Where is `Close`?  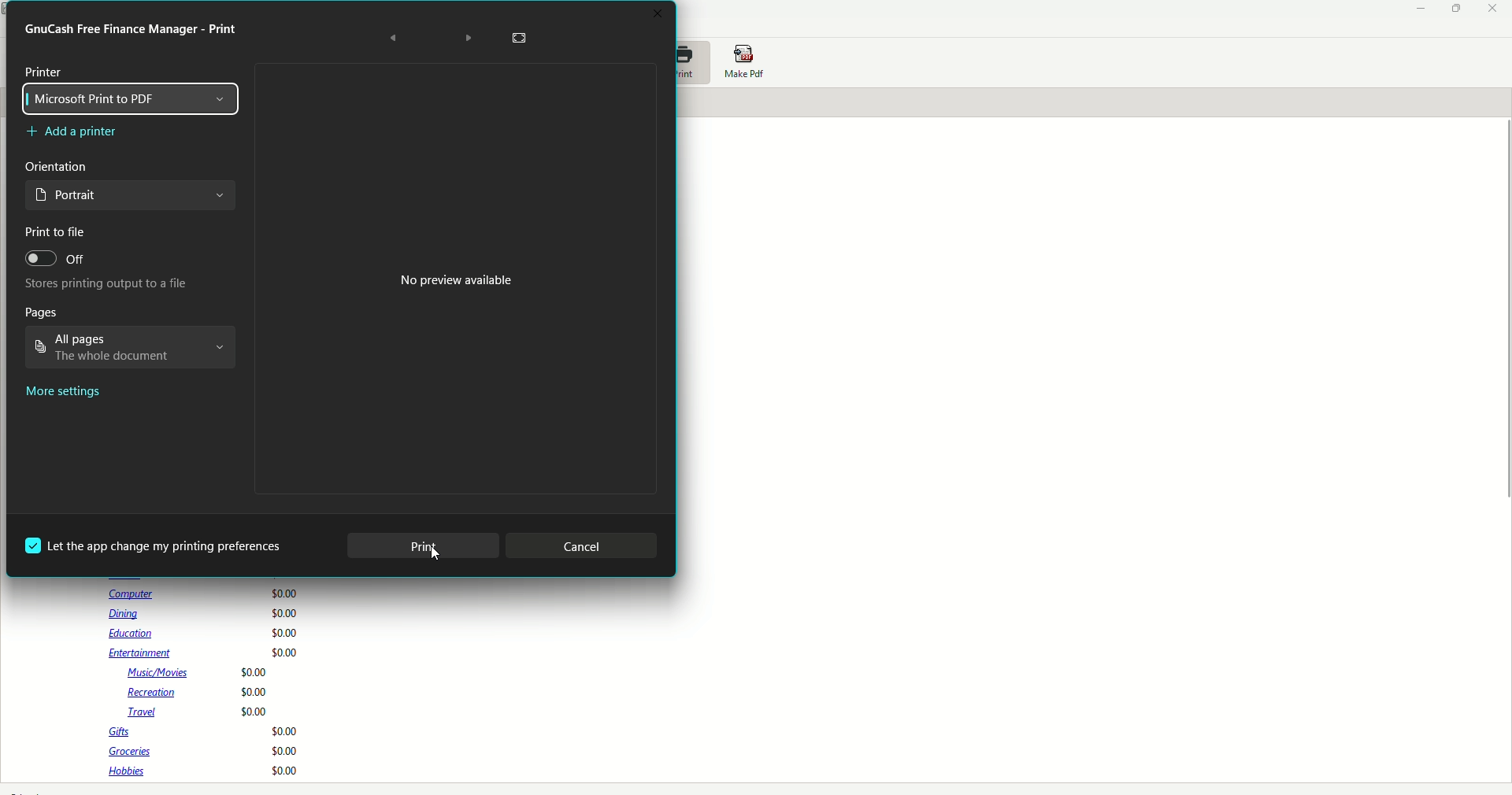 Close is located at coordinates (659, 13).